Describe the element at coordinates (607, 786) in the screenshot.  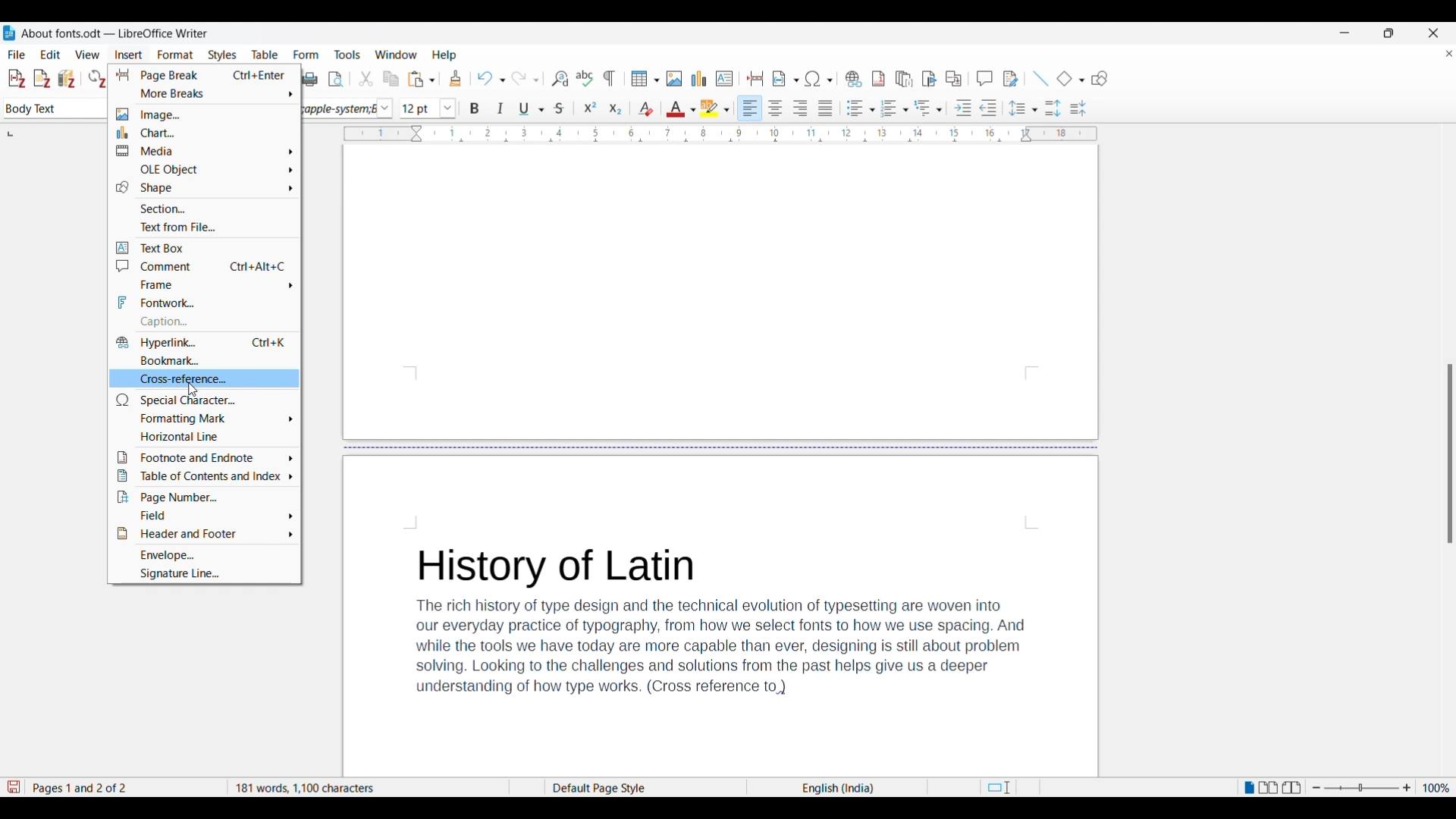
I see `Default Page Style` at that location.